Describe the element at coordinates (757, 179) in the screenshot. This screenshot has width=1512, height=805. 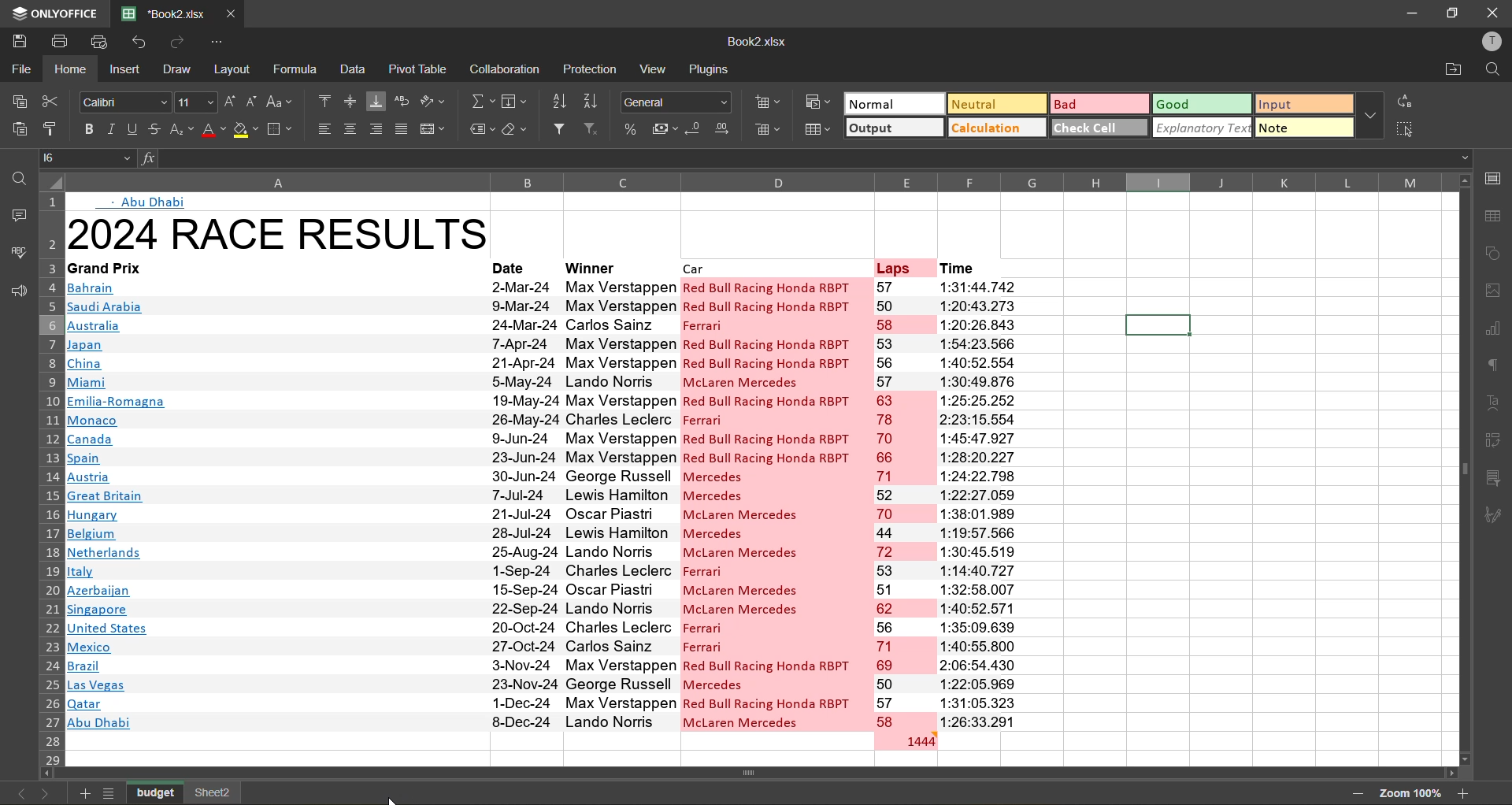
I see `column names` at that location.